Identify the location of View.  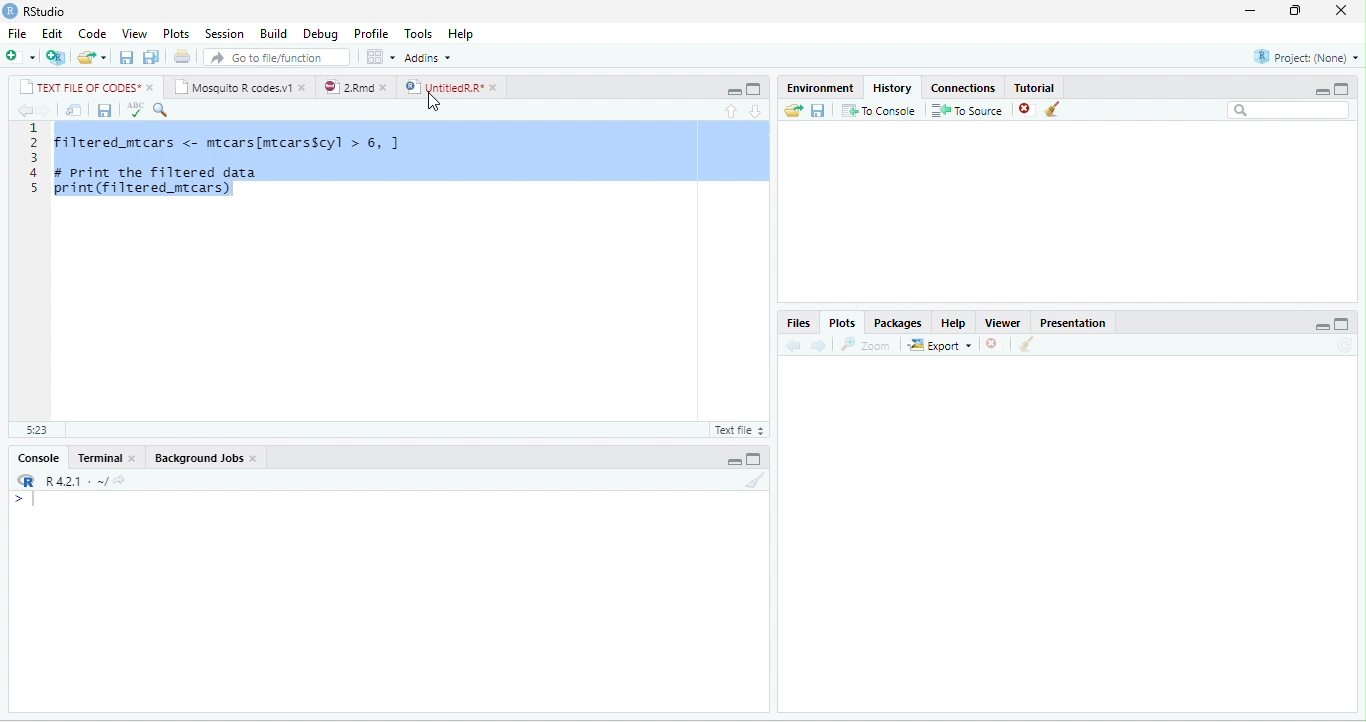
(135, 33).